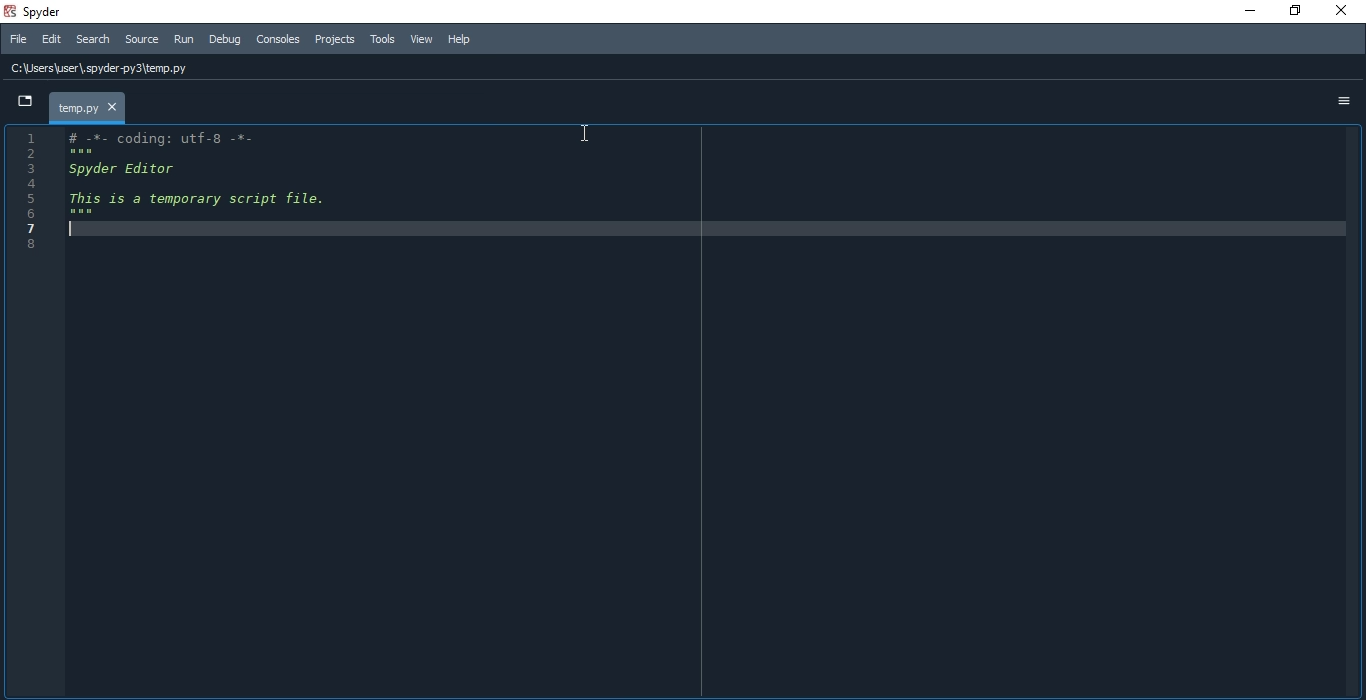 Image resolution: width=1366 pixels, height=700 pixels. What do you see at coordinates (1244, 10) in the screenshot?
I see `minimise` at bounding box center [1244, 10].